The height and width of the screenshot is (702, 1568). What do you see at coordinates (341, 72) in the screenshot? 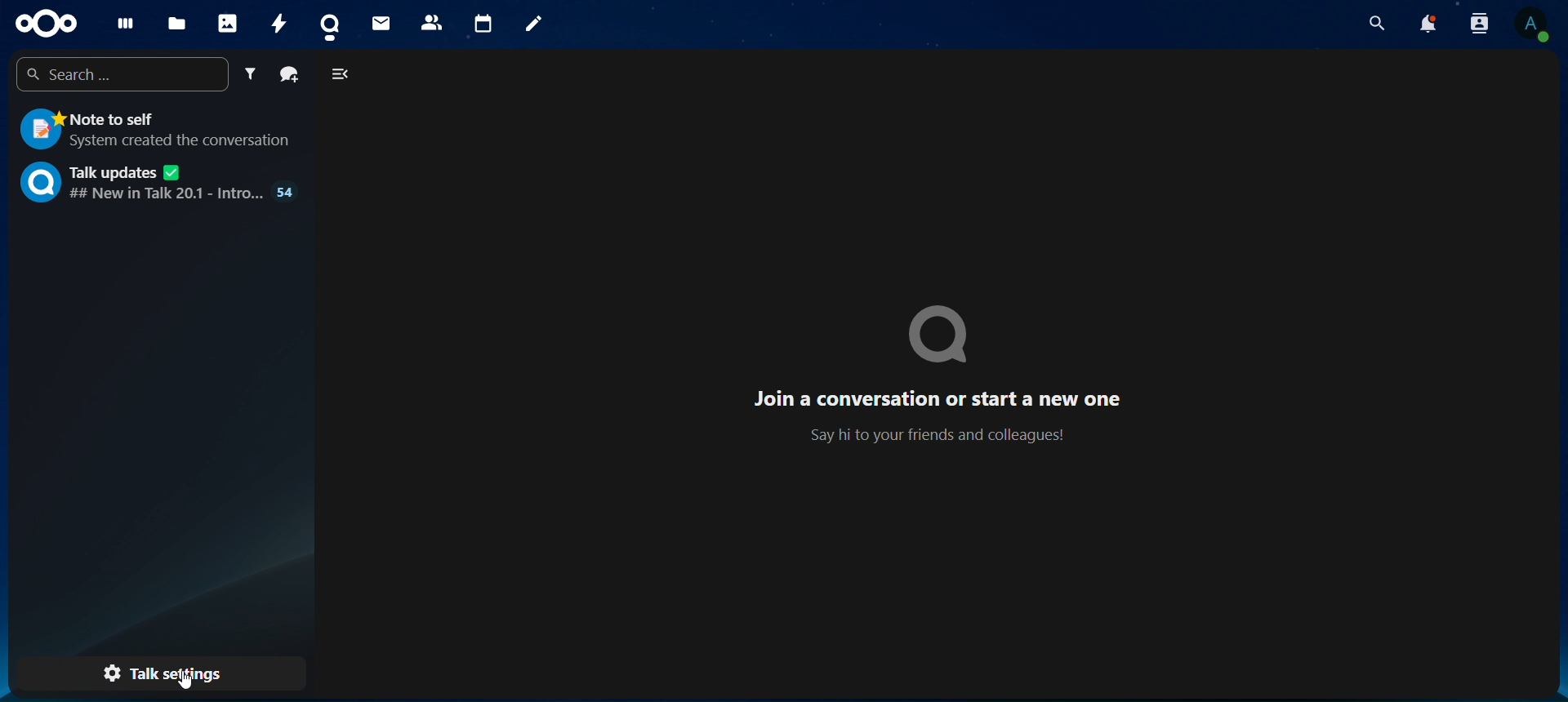
I see `close navigation` at bounding box center [341, 72].